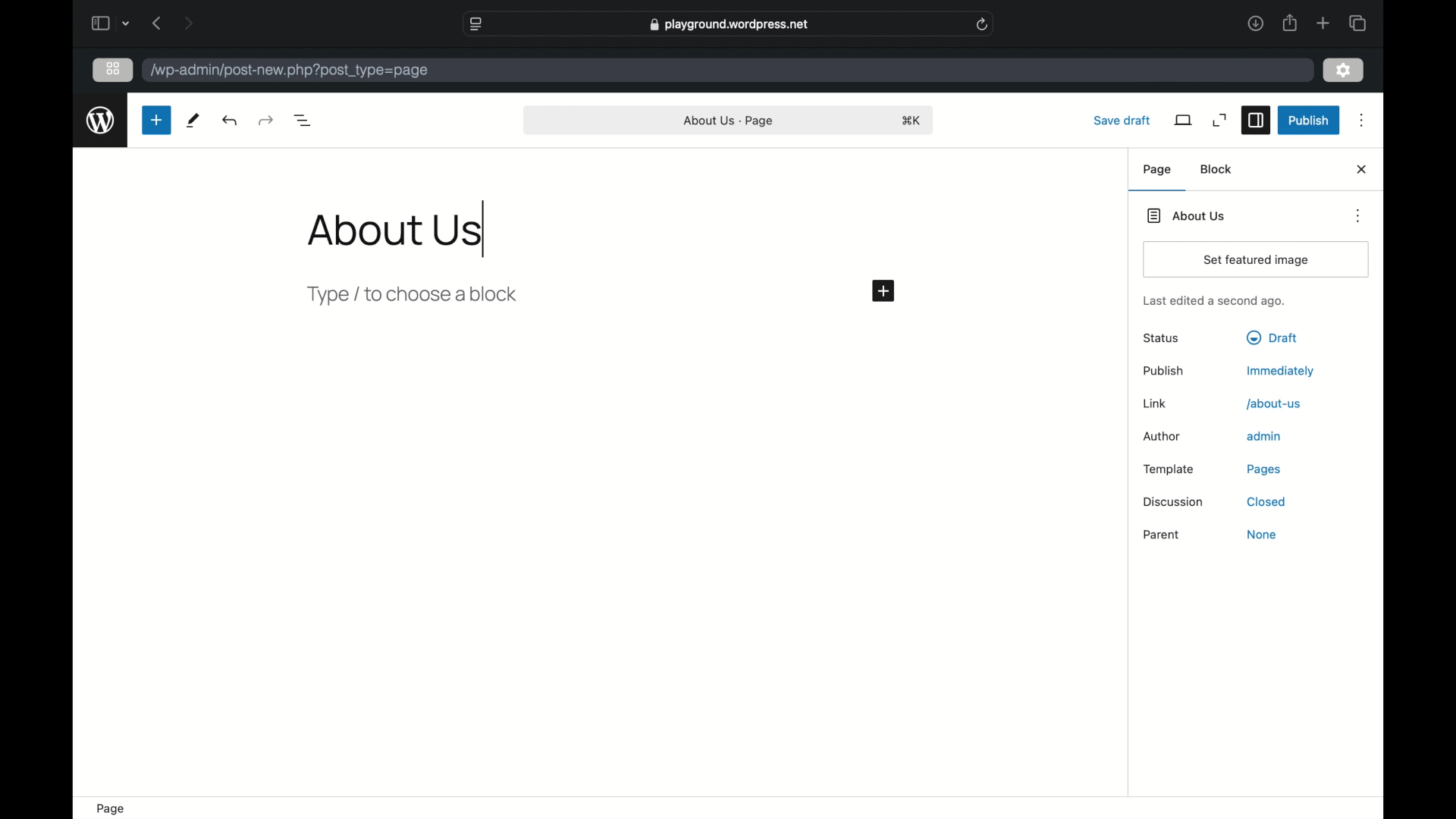 The width and height of the screenshot is (1456, 819). I want to click on page, so click(1159, 170).